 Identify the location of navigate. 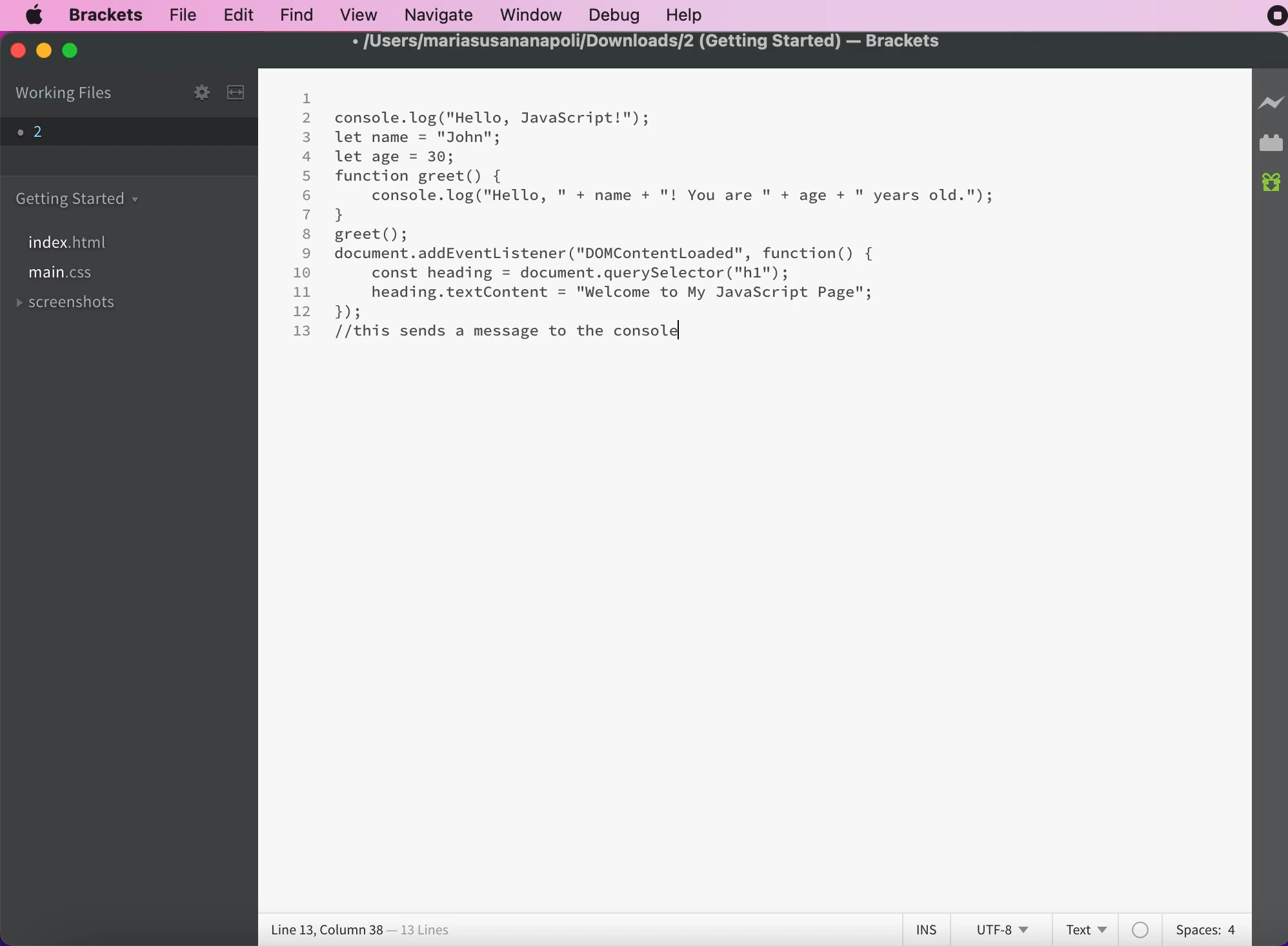
(436, 16).